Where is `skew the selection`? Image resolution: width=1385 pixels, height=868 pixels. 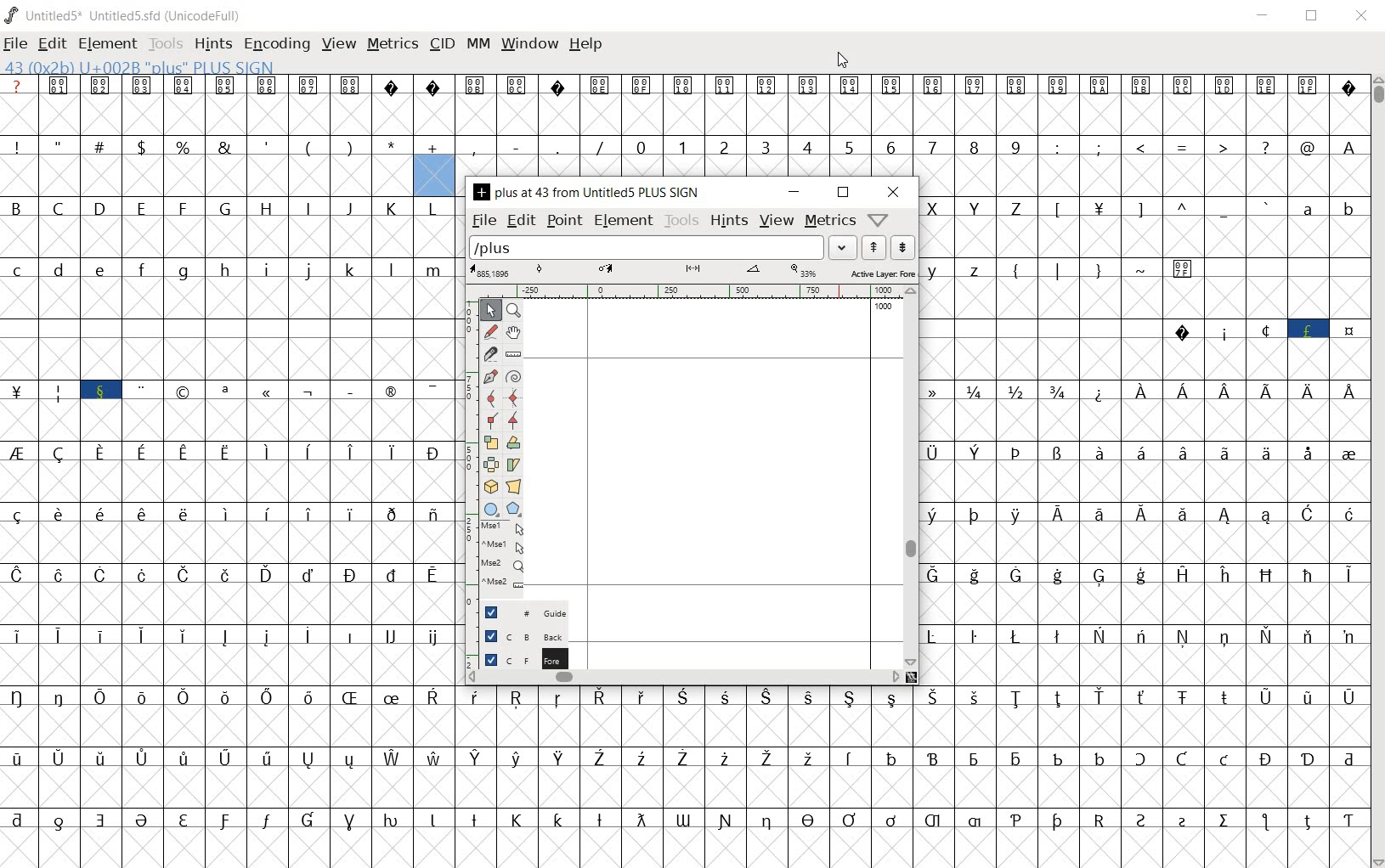
skew the selection is located at coordinates (514, 465).